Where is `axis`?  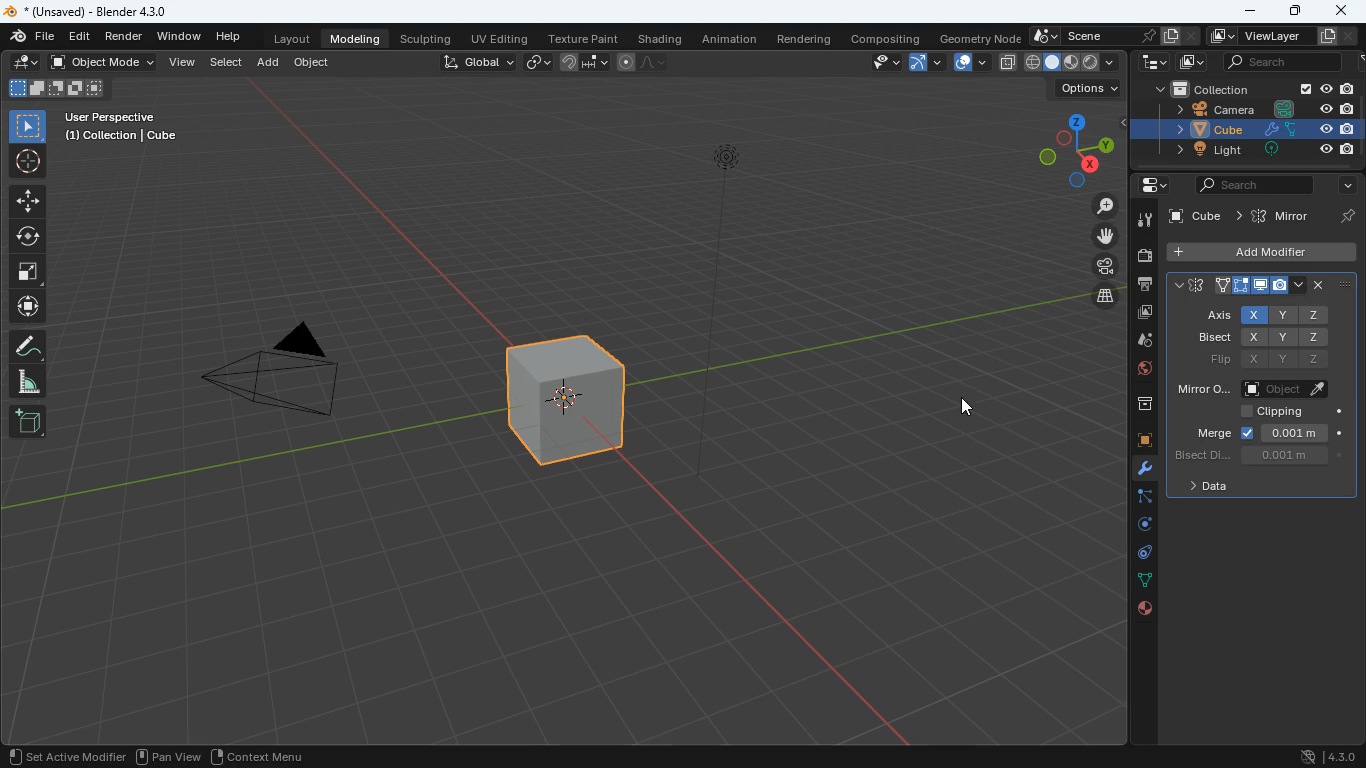
axis is located at coordinates (1265, 315).